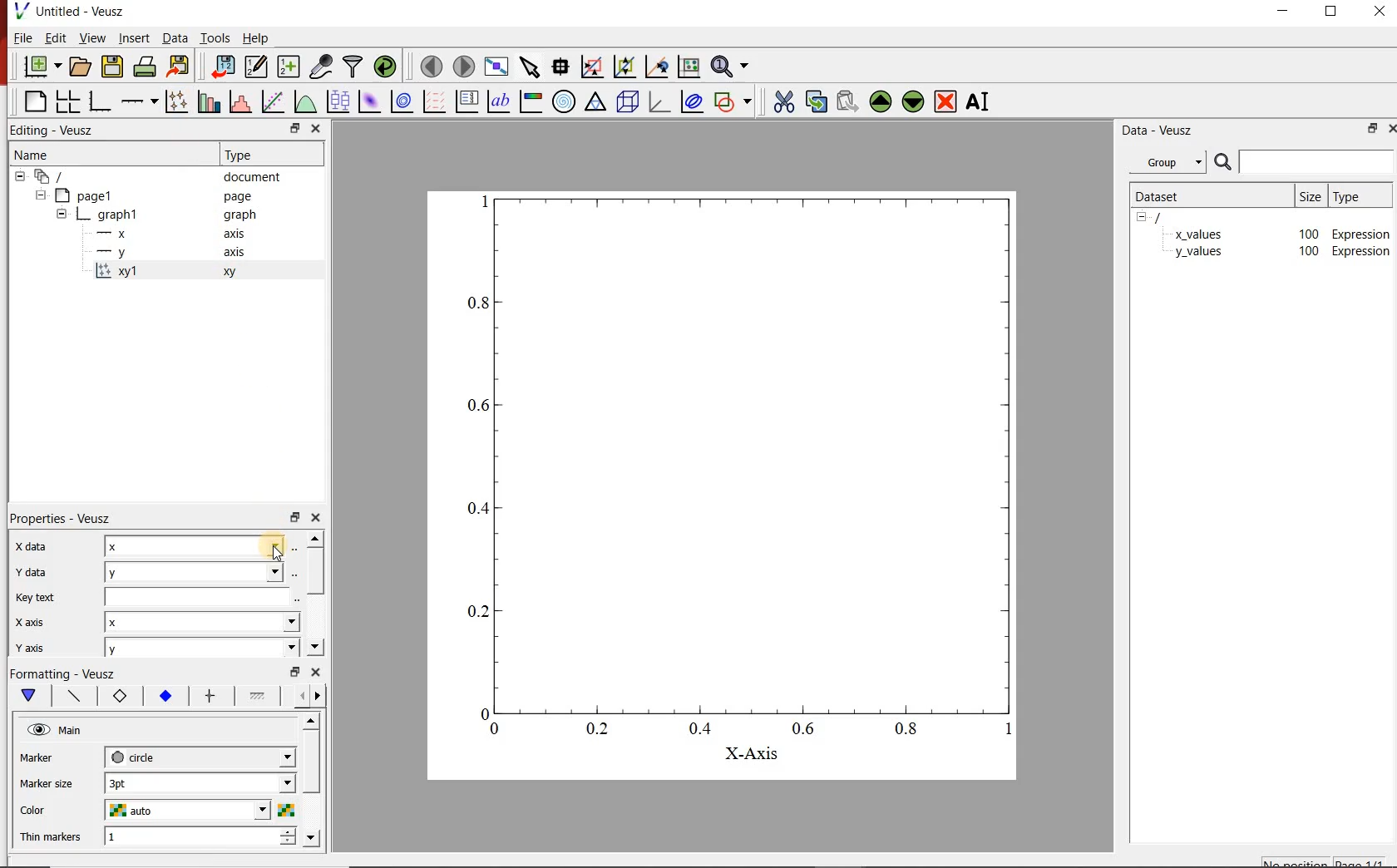  Describe the element at coordinates (199, 757) in the screenshot. I see `circle` at that location.